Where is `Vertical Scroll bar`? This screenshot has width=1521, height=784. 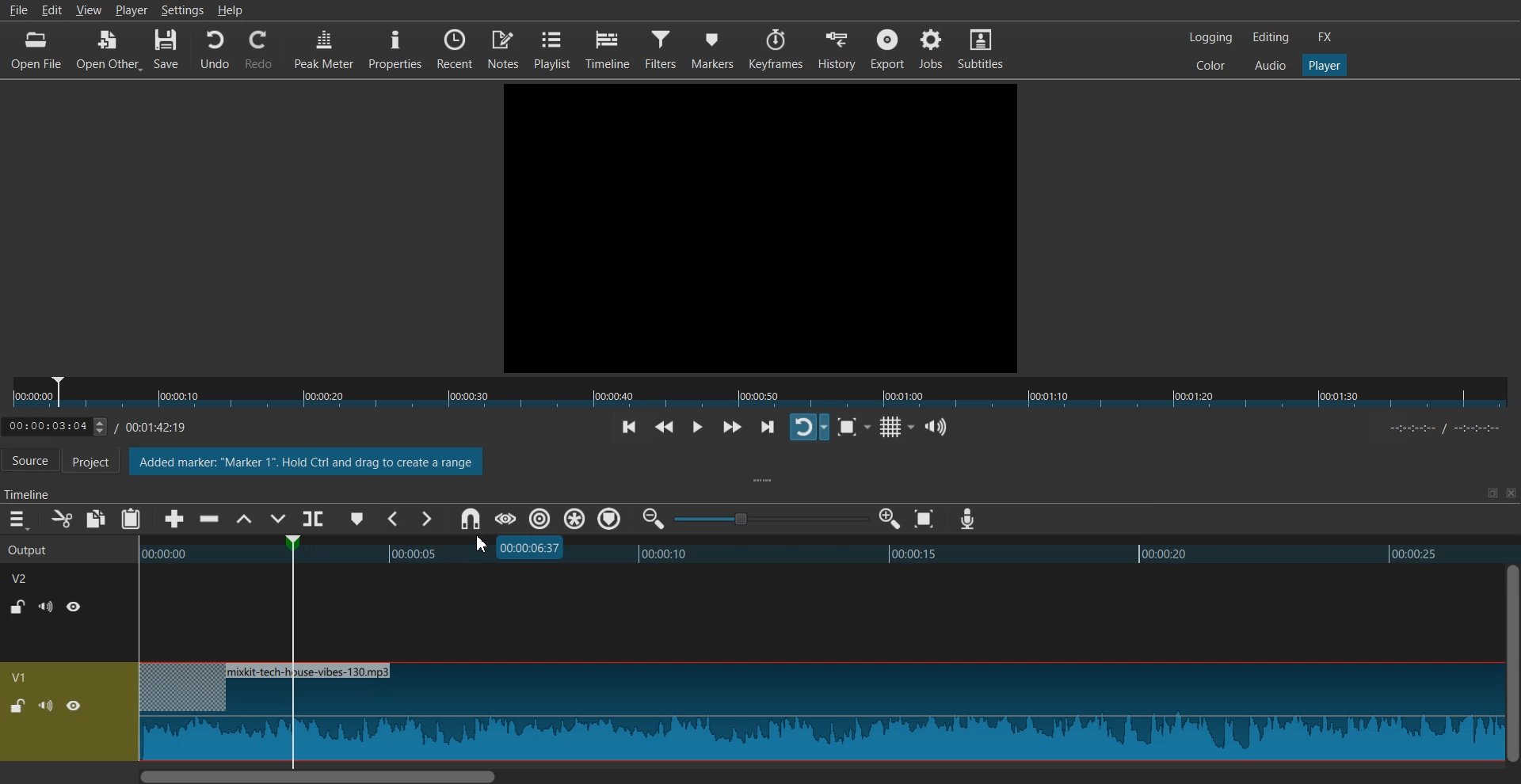 Vertical Scroll bar is located at coordinates (1511, 663).